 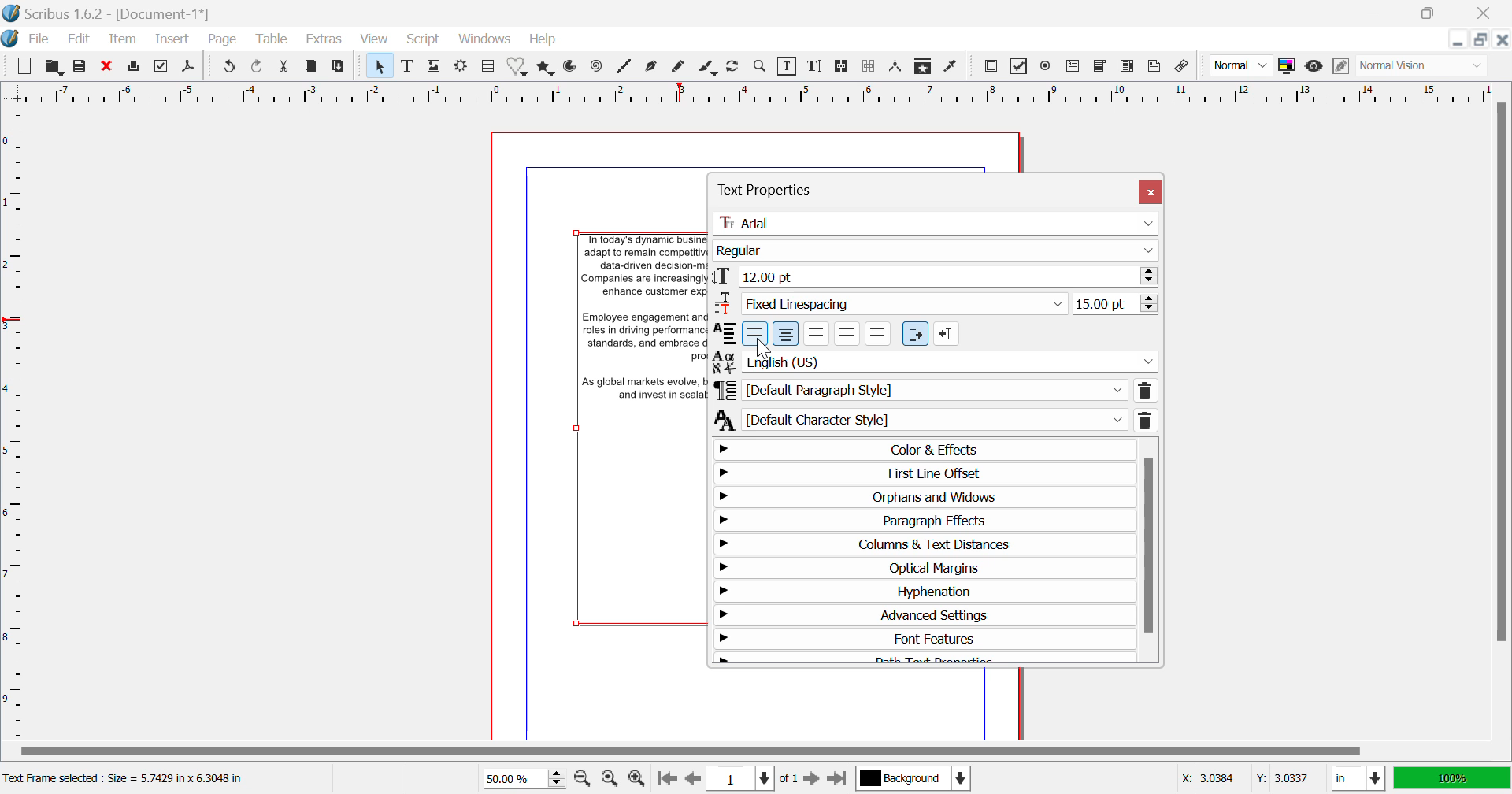 What do you see at coordinates (543, 39) in the screenshot?
I see `Help` at bounding box center [543, 39].